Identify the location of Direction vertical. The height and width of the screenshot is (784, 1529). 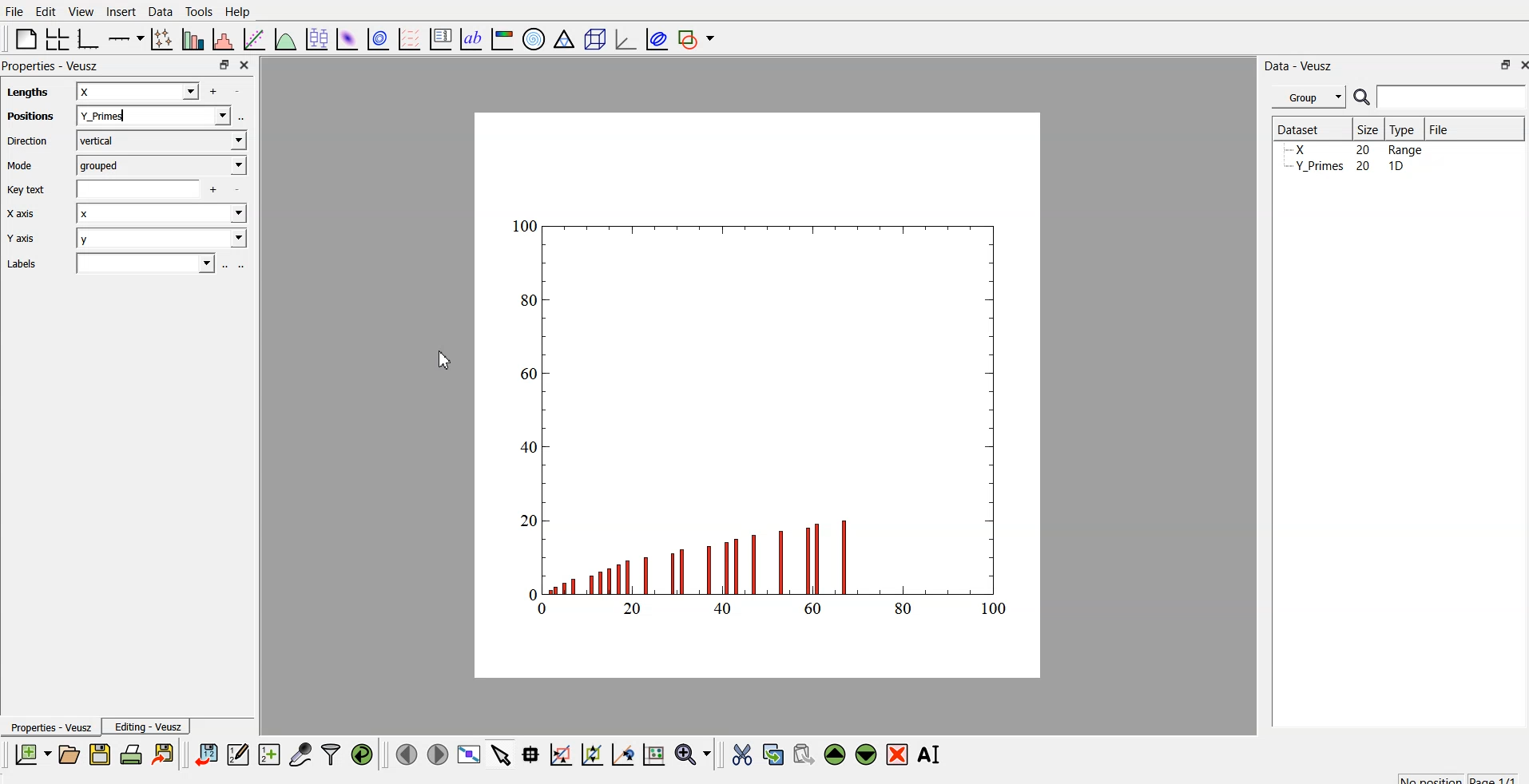
(128, 141).